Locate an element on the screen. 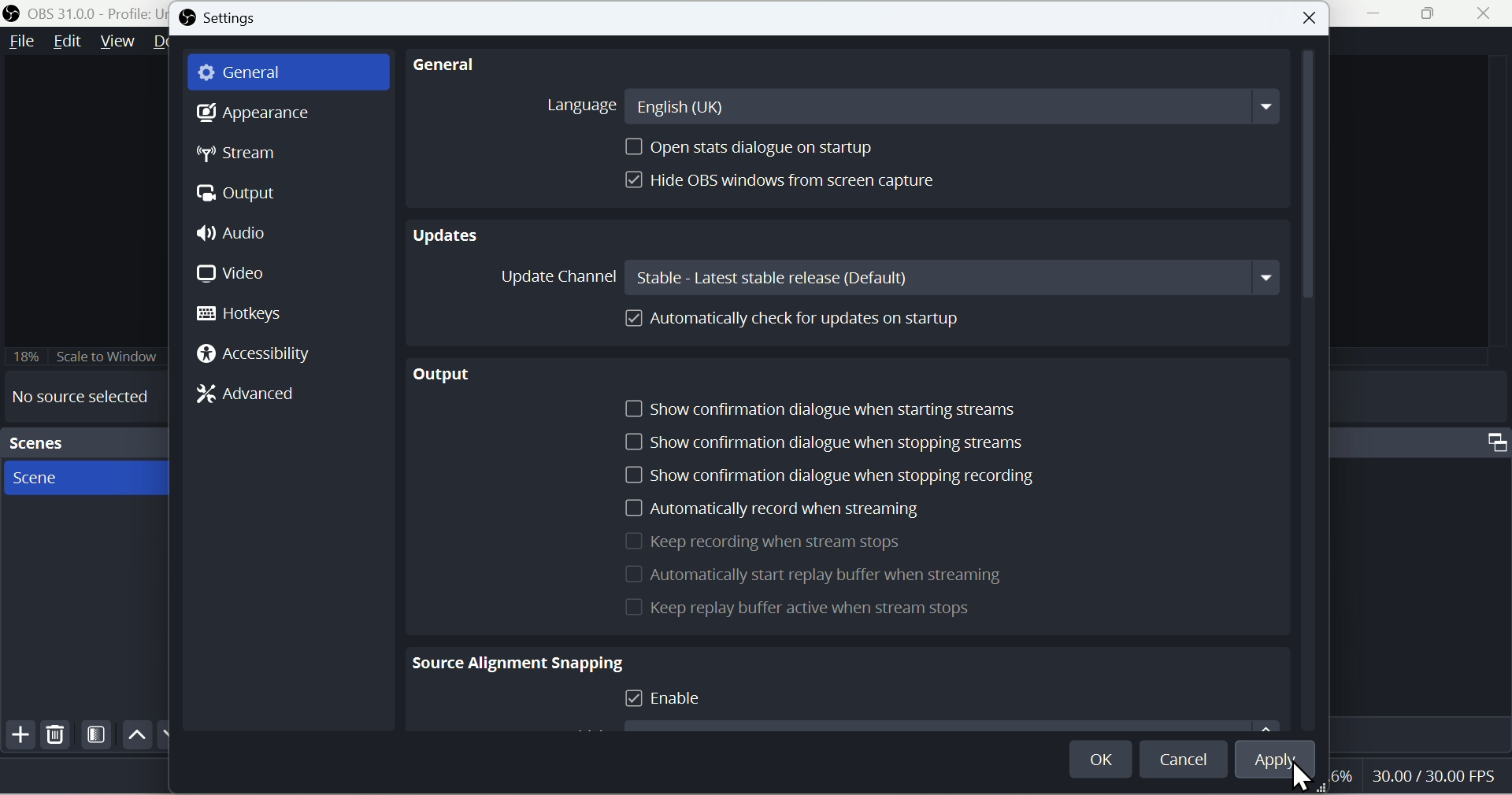  30.00 FPS is located at coordinates (1440, 776).